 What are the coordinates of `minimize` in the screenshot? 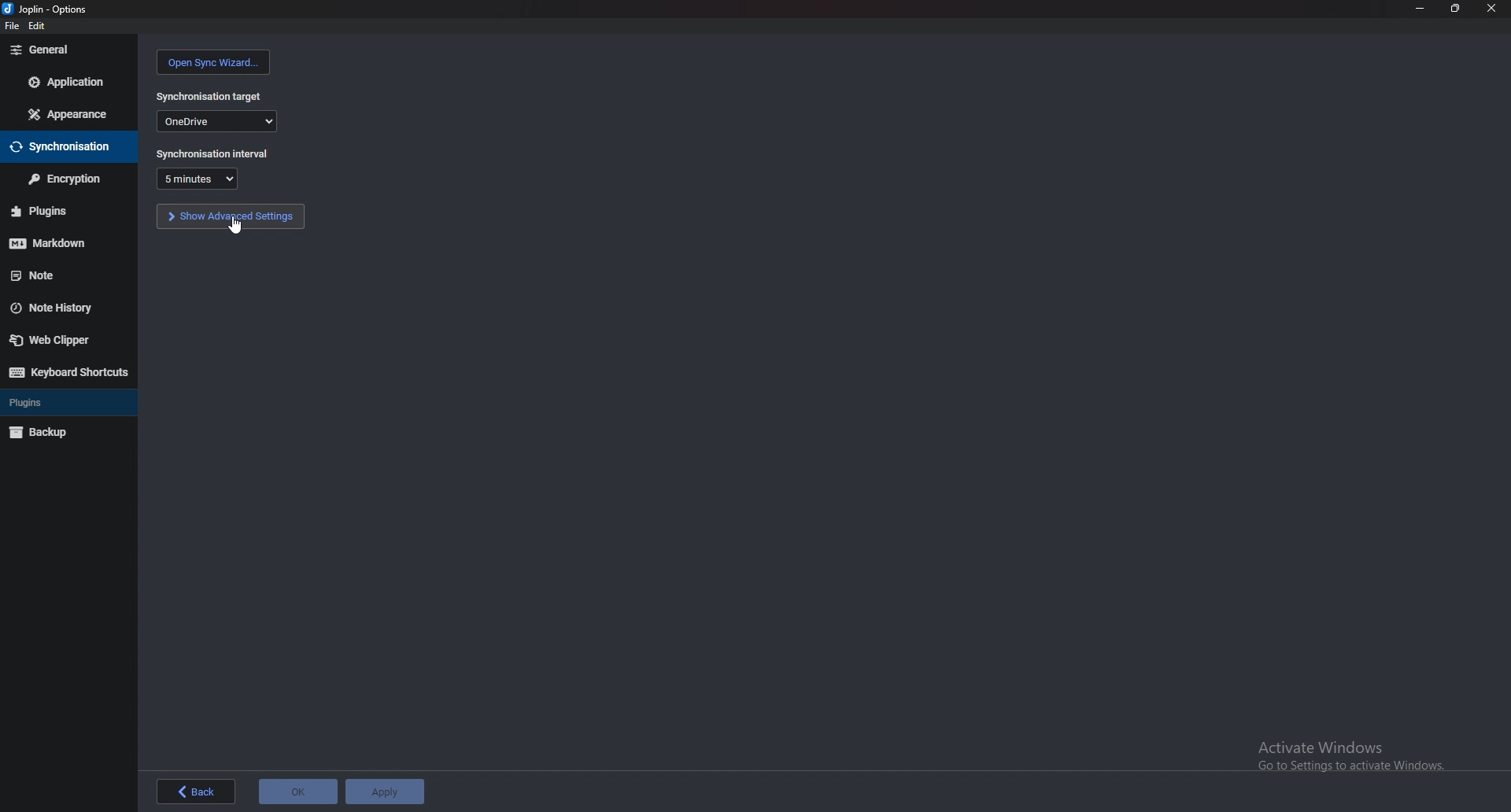 It's located at (1420, 7).